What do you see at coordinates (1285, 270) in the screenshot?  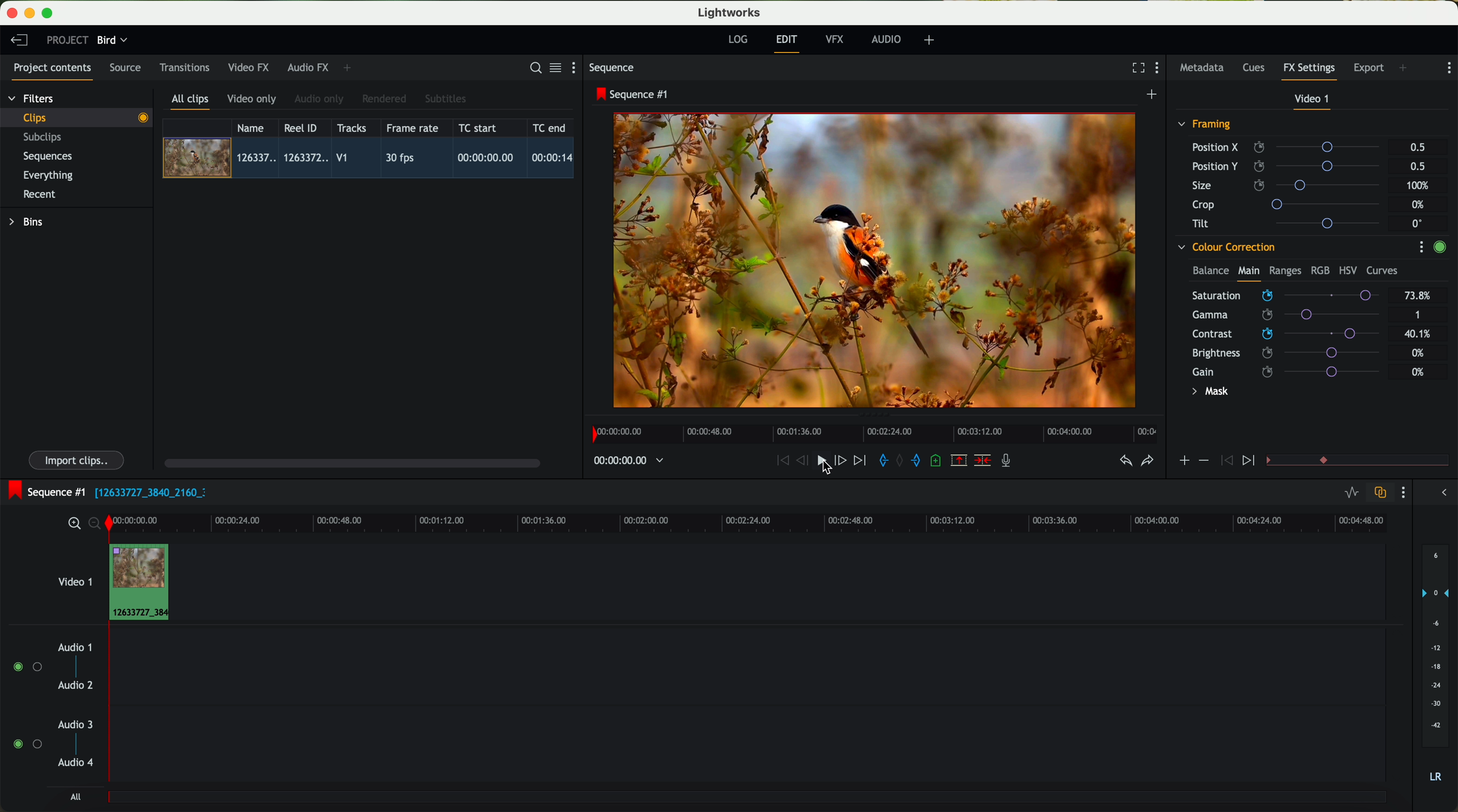 I see `ranges` at bounding box center [1285, 270].